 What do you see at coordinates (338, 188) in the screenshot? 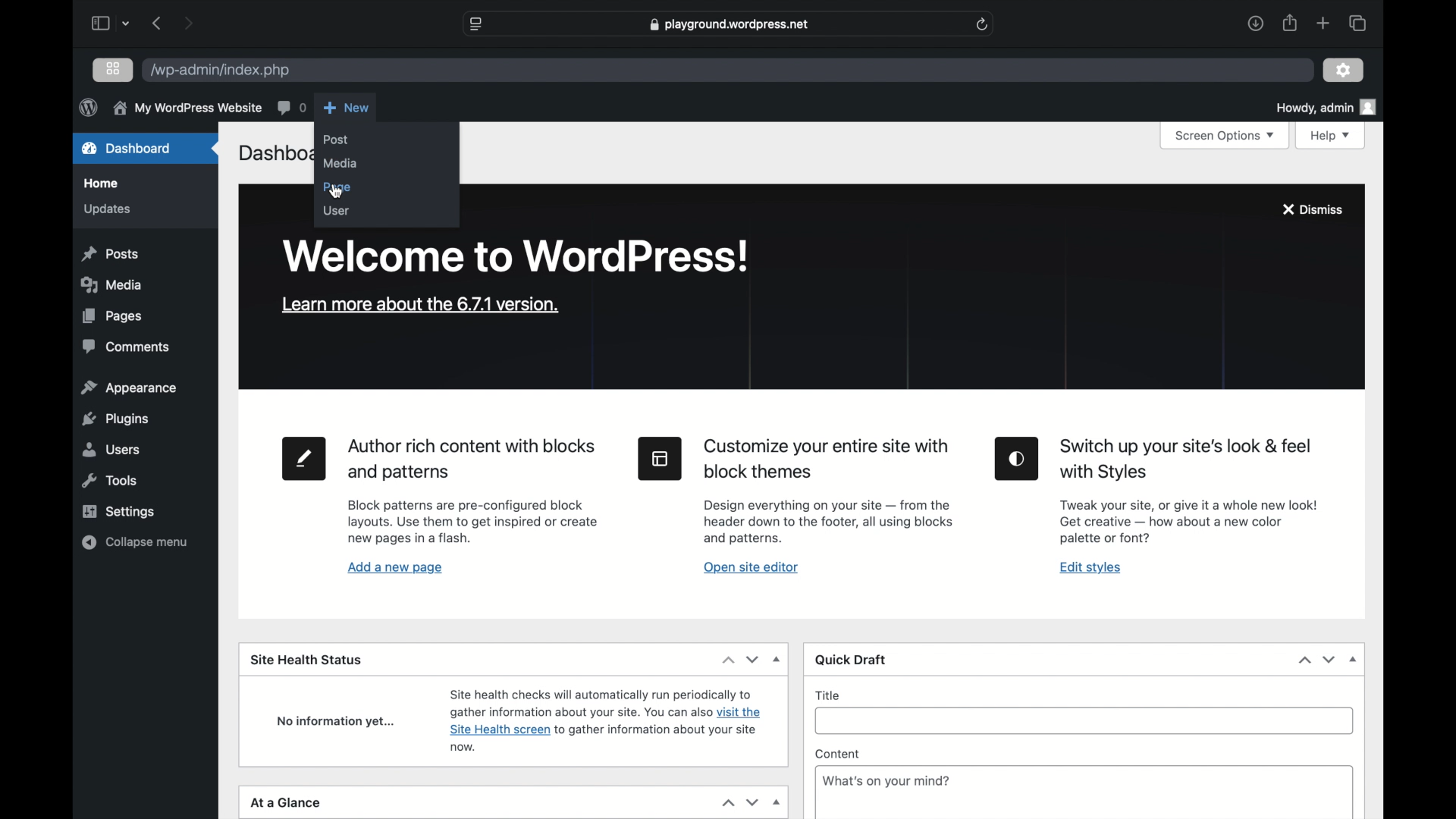
I see `page` at bounding box center [338, 188].